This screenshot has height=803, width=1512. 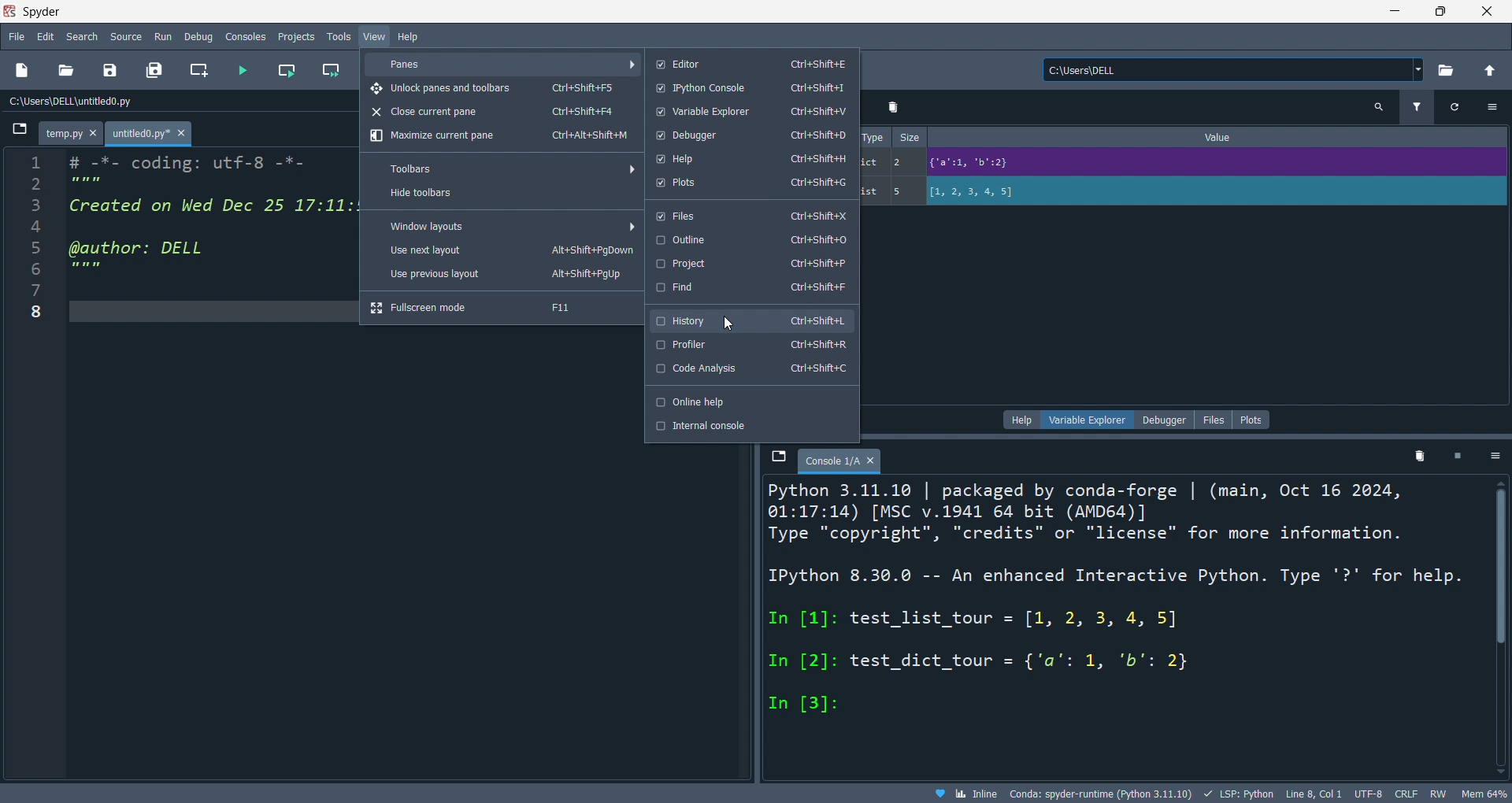 I want to click on C:\Users\DELL\untitled0.py, so click(x=91, y=102).